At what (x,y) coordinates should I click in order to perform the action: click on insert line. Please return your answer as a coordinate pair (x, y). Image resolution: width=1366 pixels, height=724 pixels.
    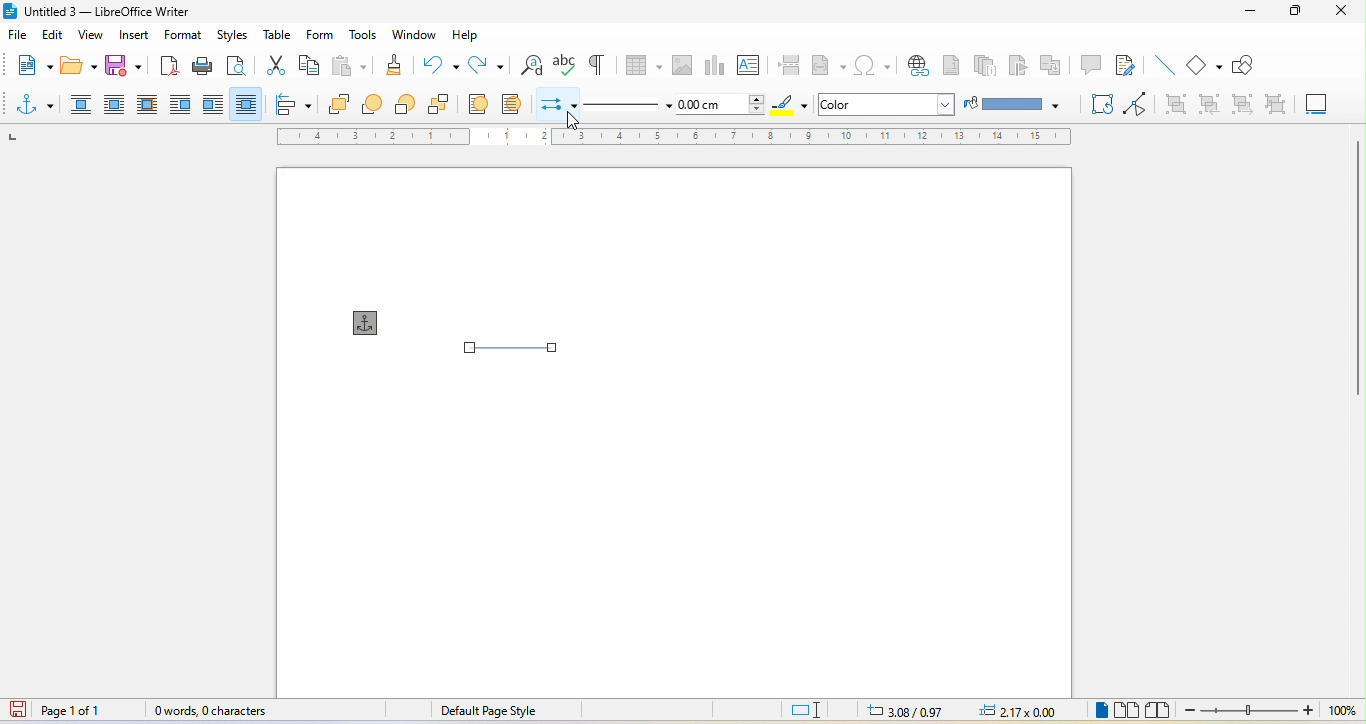
    Looking at the image, I should click on (1166, 66).